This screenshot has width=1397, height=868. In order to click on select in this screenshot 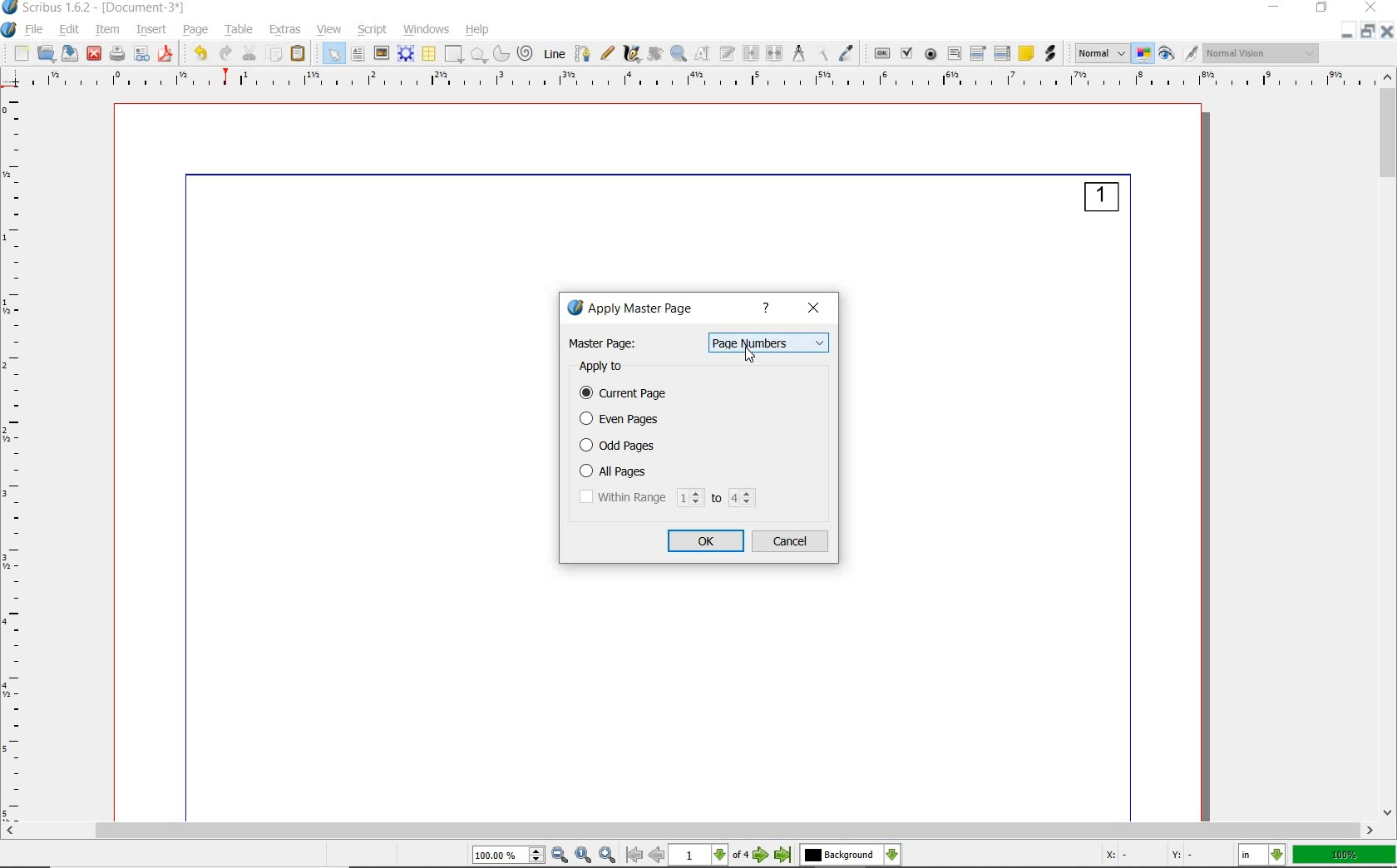, I will do `click(336, 53)`.